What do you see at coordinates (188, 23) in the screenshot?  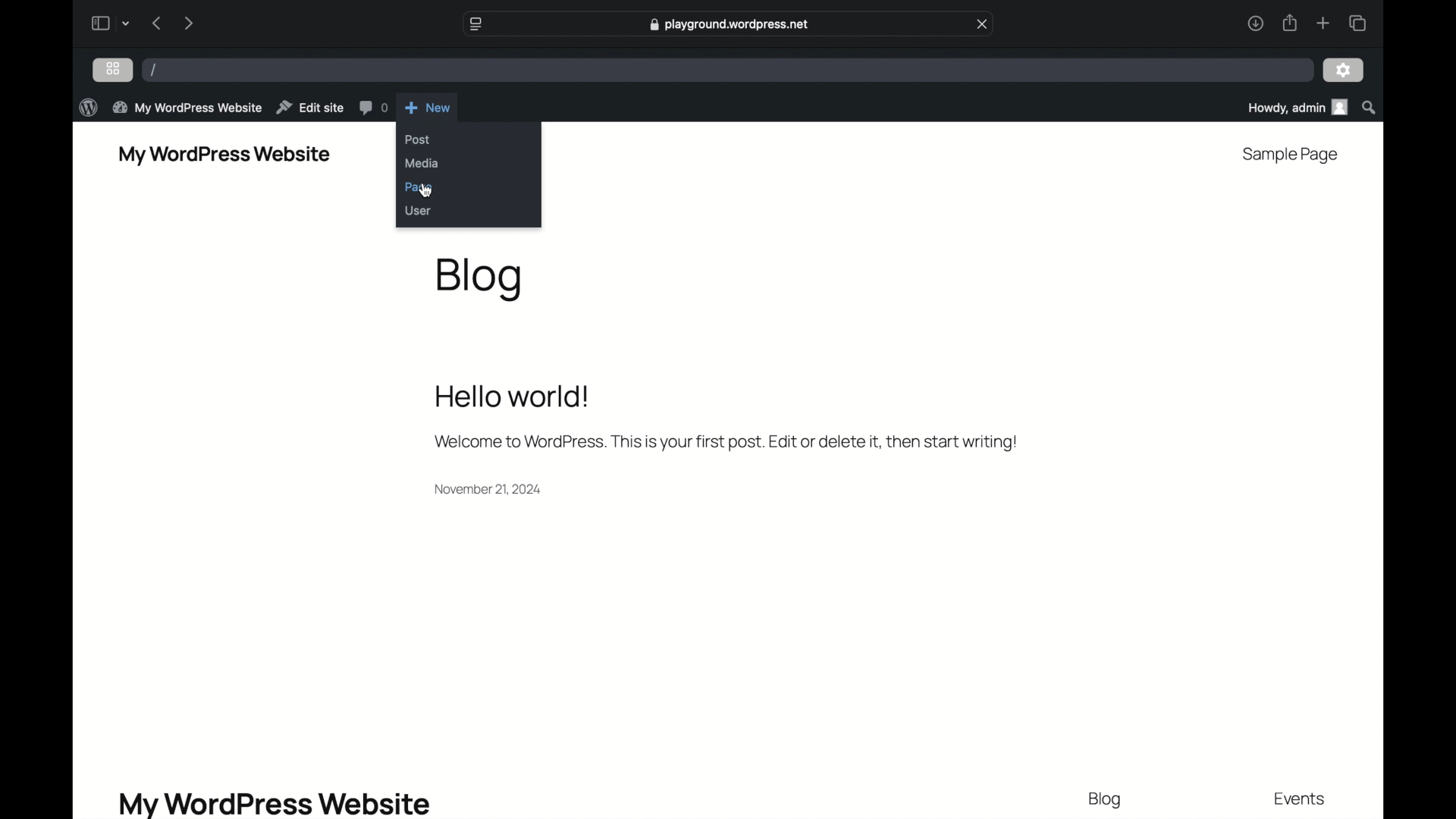 I see `next page` at bounding box center [188, 23].